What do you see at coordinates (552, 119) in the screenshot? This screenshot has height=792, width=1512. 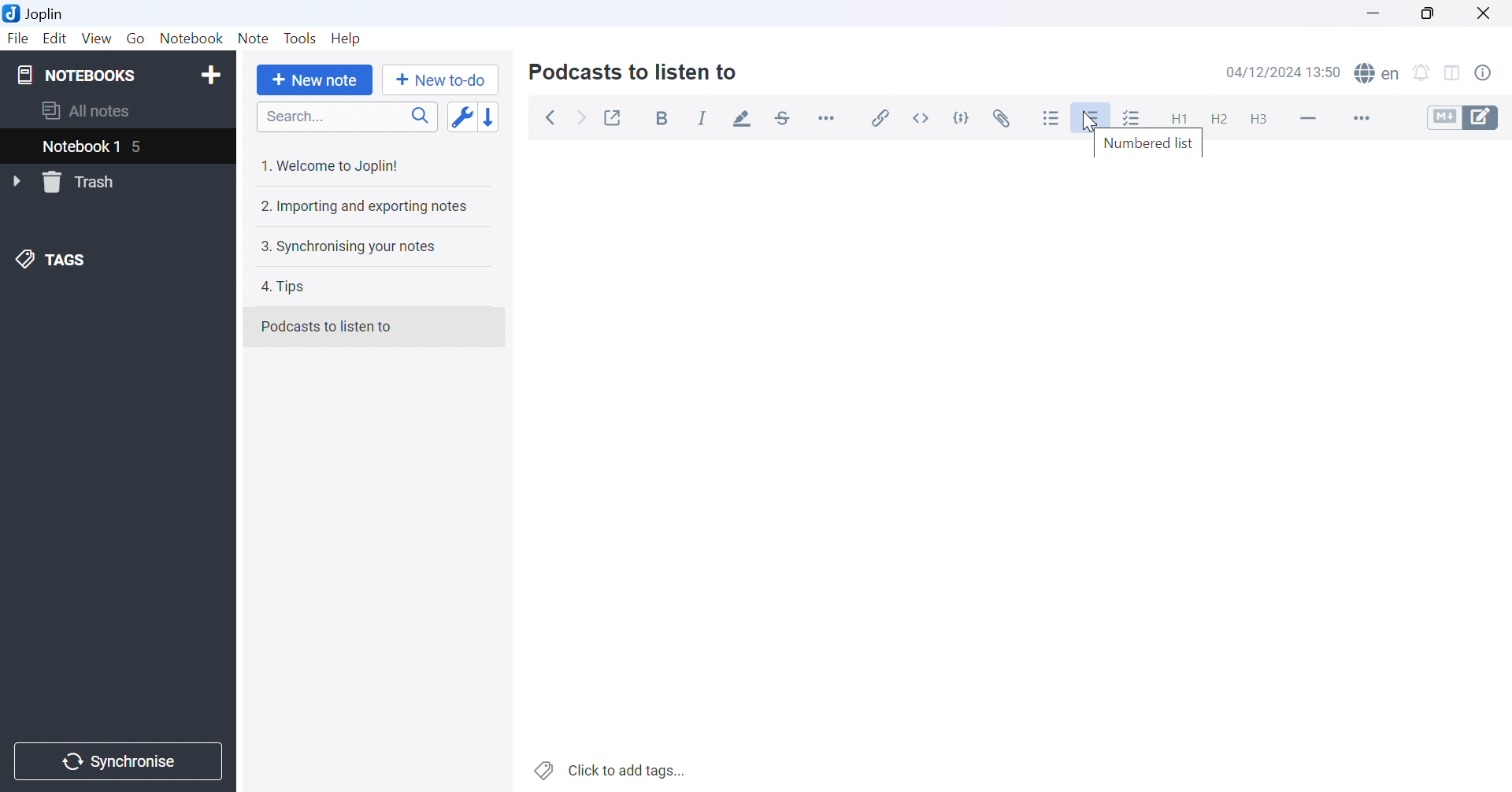 I see `Back` at bounding box center [552, 119].